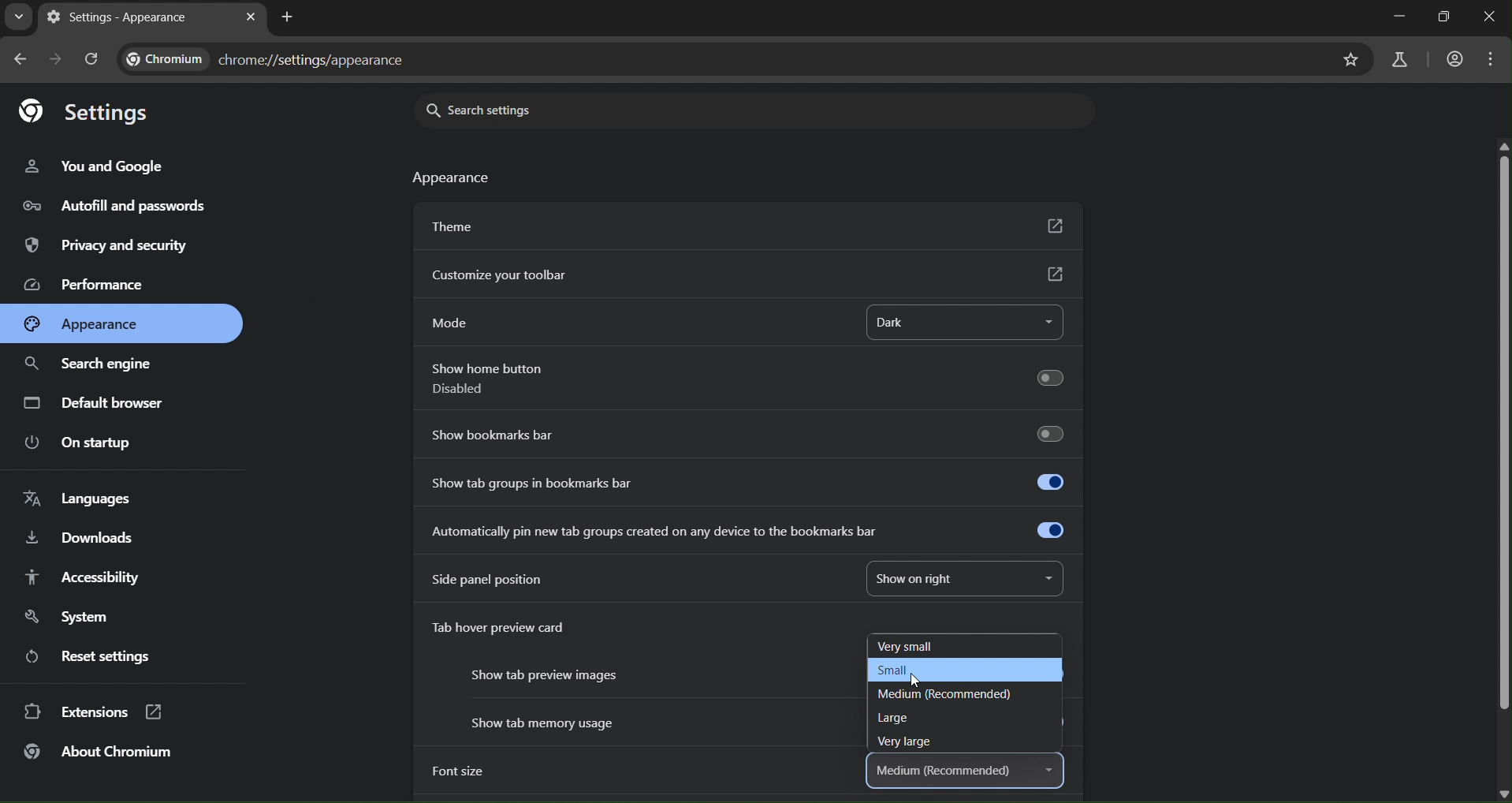 The image size is (1512, 803). I want to click on about chromium, so click(102, 752).